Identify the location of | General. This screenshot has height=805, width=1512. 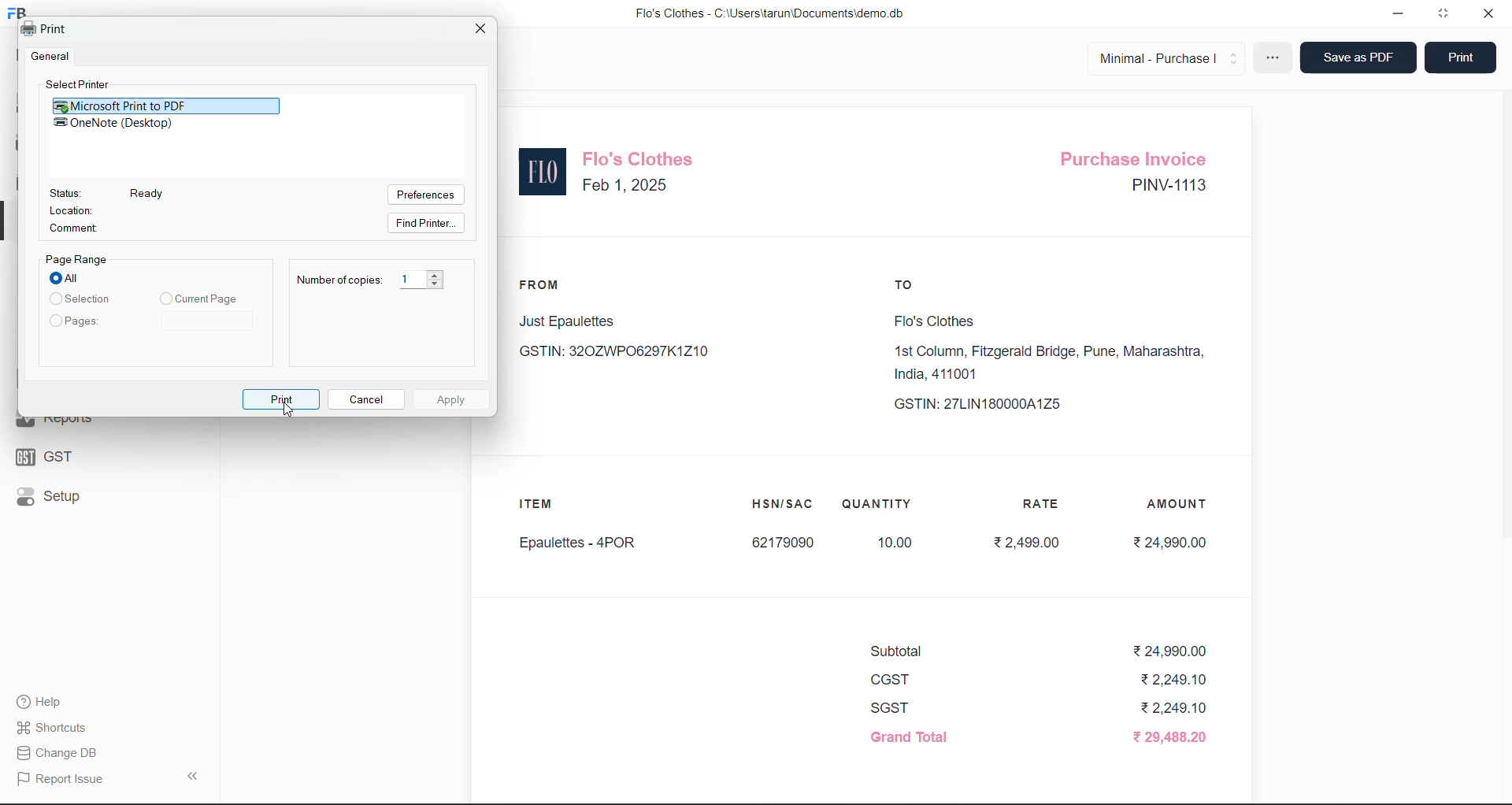
(47, 57).